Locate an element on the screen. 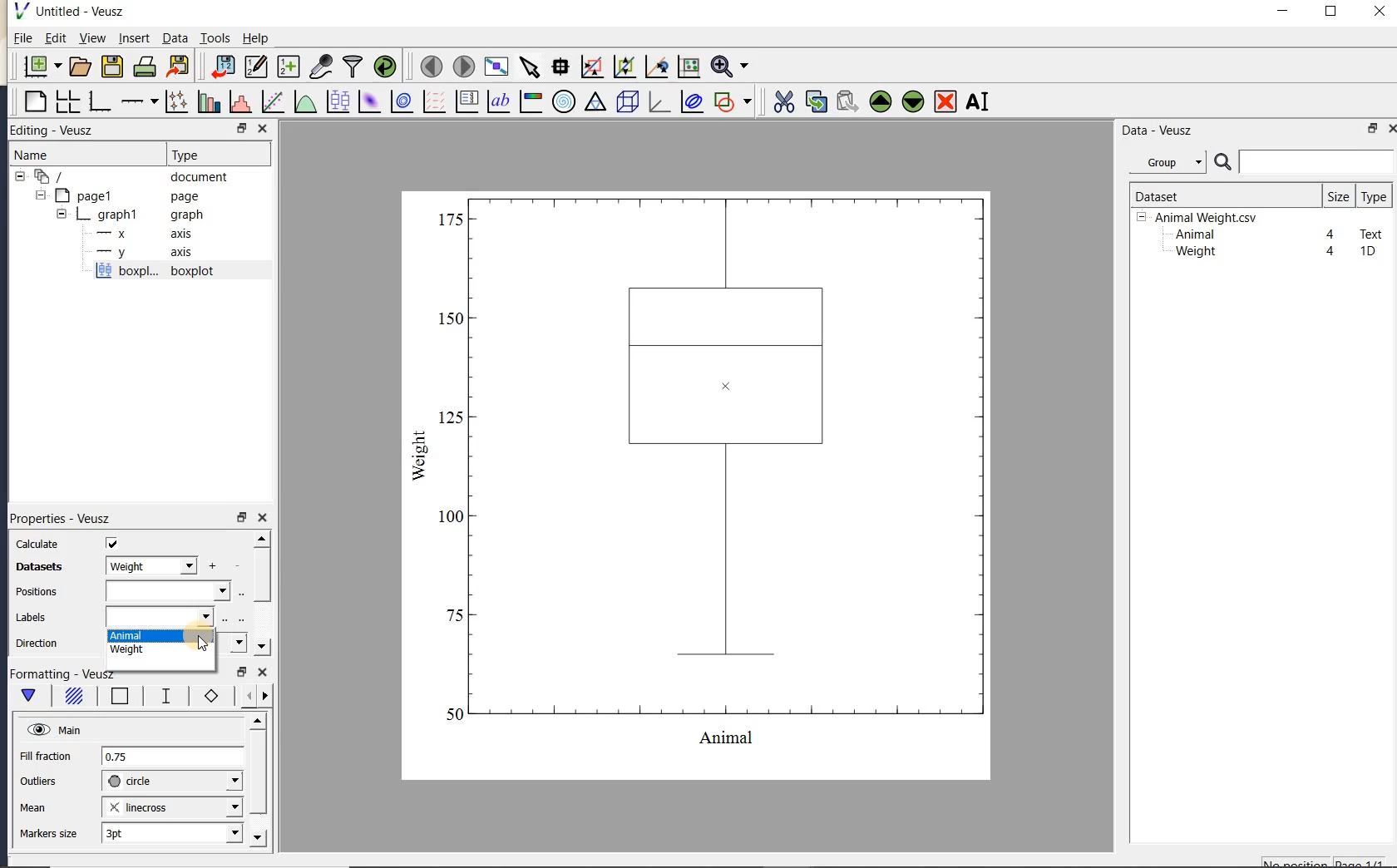 The image size is (1397, 868). page1 is located at coordinates (119, 197).